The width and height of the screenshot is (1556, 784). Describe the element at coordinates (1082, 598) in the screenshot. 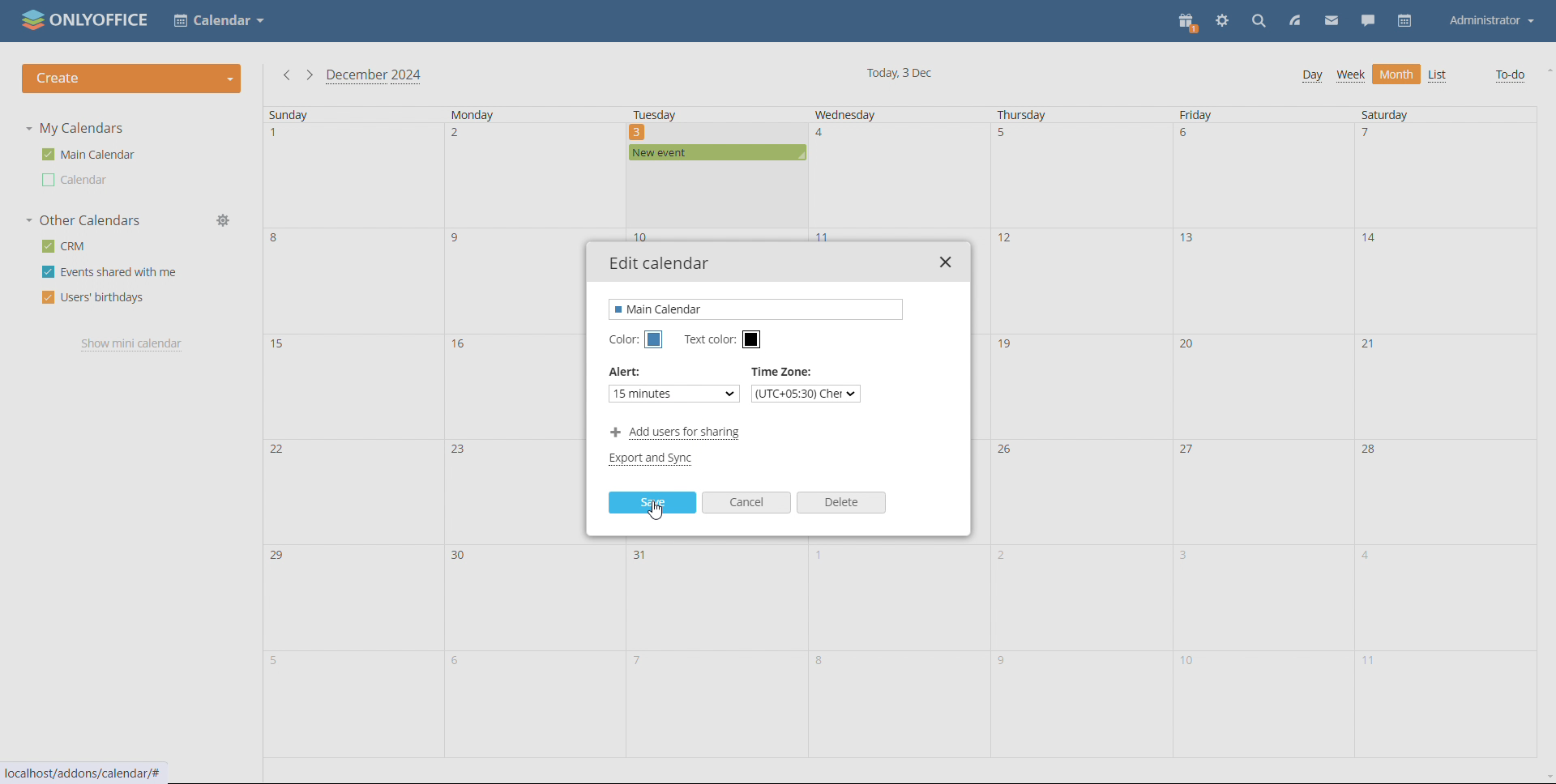

I see `date` at that location.